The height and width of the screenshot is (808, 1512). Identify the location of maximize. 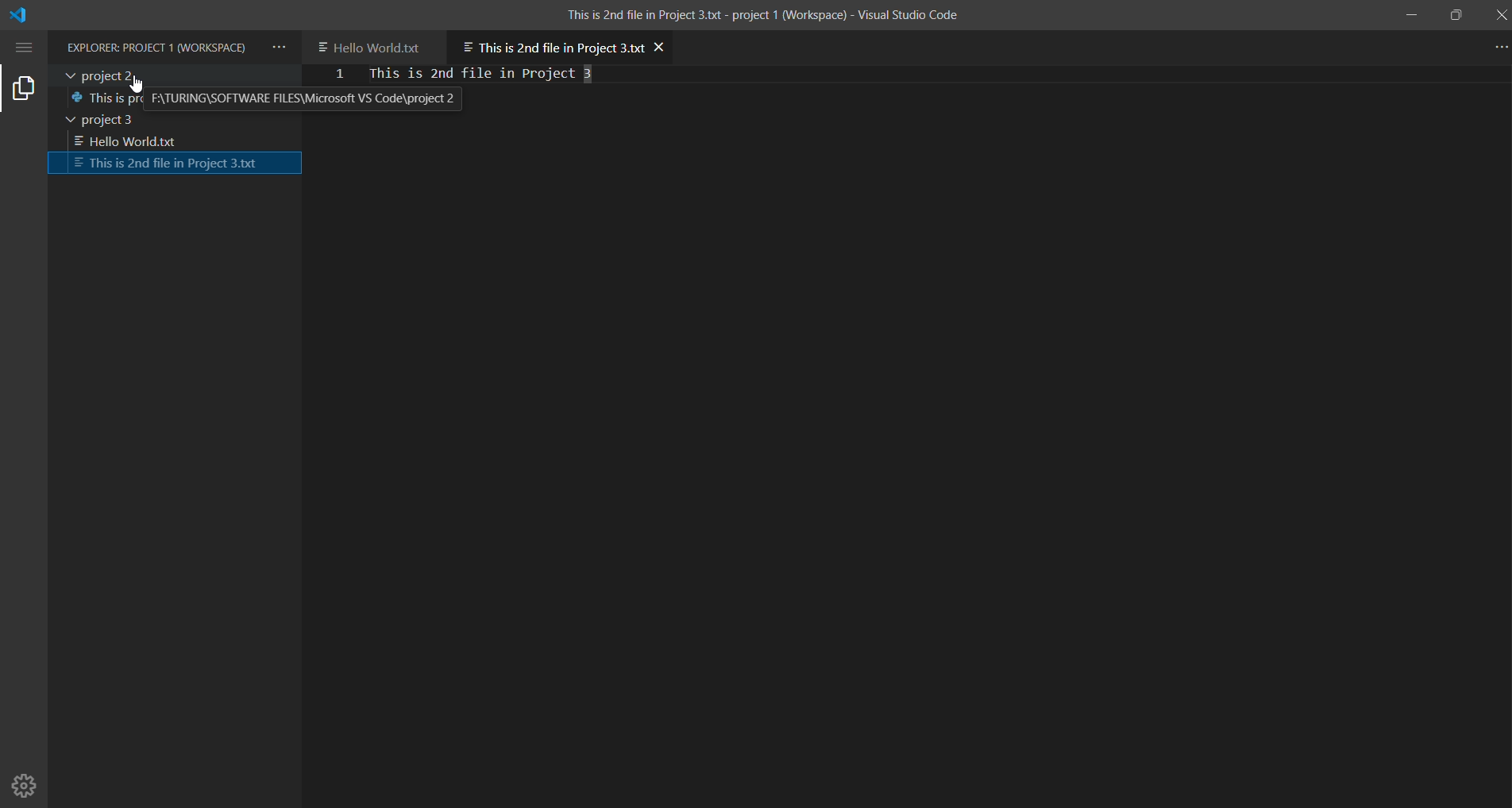
(1458, 15).